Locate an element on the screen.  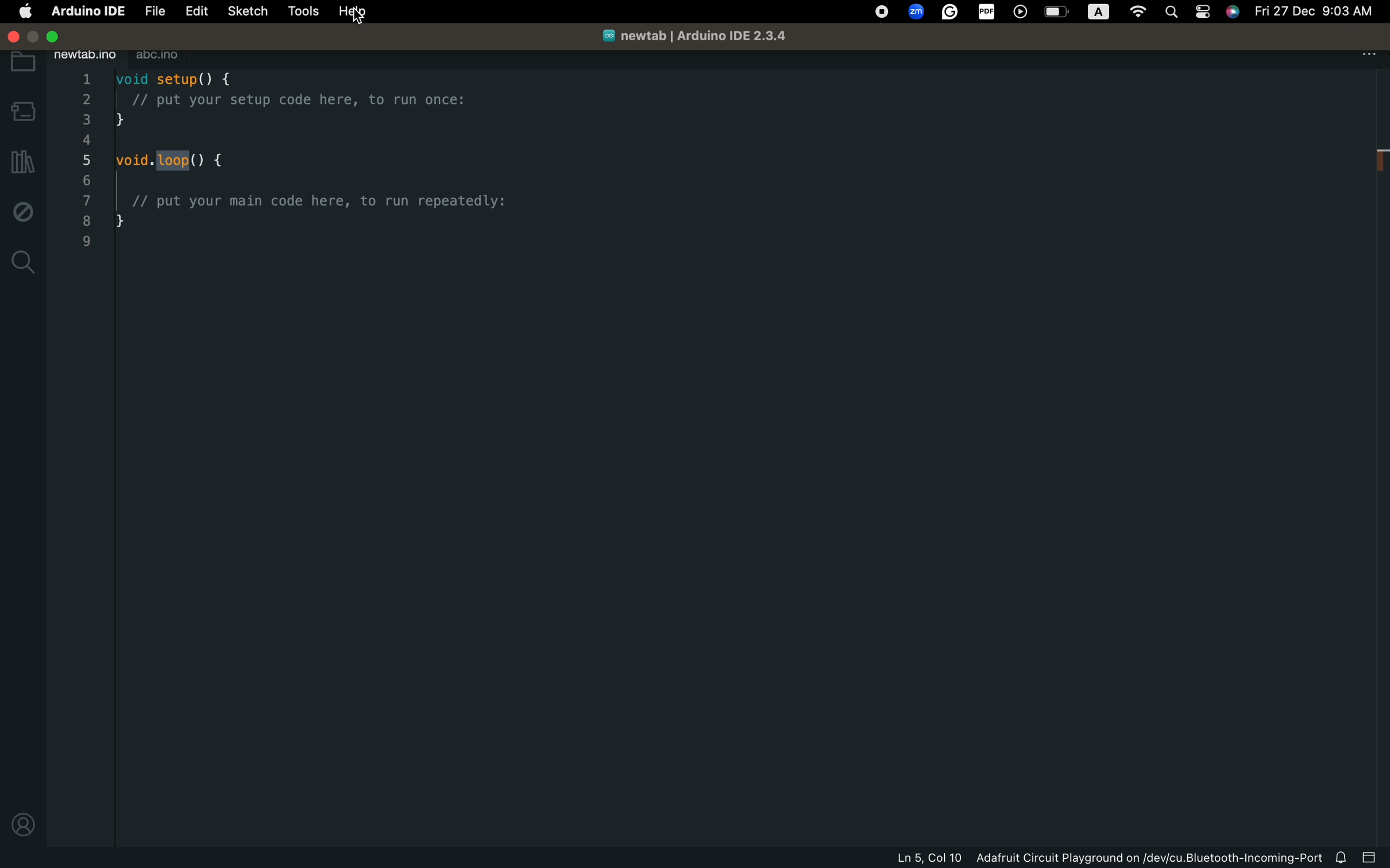
Maximize is located at coordinates (37, 36).